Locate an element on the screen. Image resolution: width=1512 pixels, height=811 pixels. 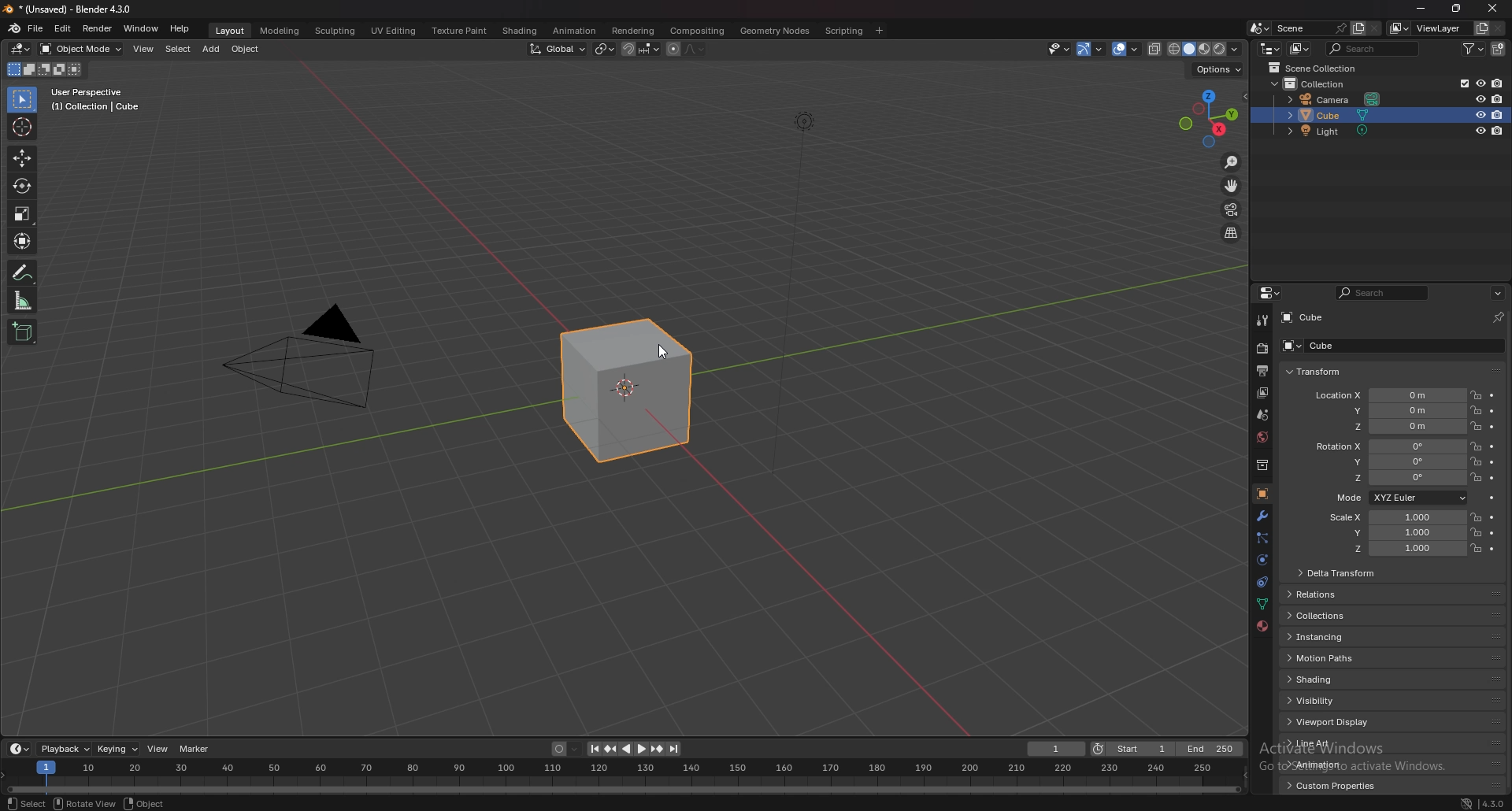
start frame is located at coordinates (1136, 748).